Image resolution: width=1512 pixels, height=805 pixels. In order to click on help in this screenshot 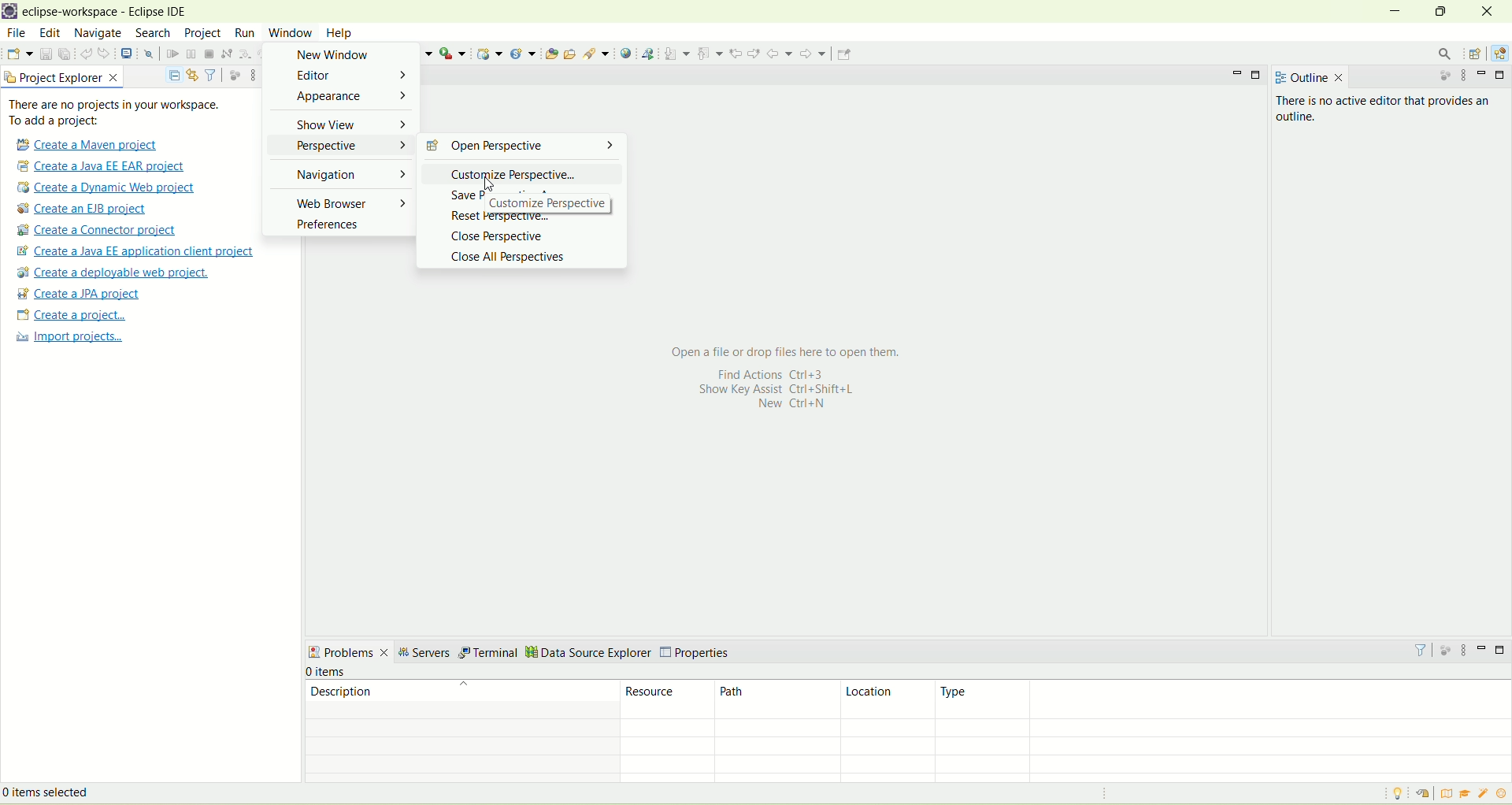, I will do `click(339, 32)`.